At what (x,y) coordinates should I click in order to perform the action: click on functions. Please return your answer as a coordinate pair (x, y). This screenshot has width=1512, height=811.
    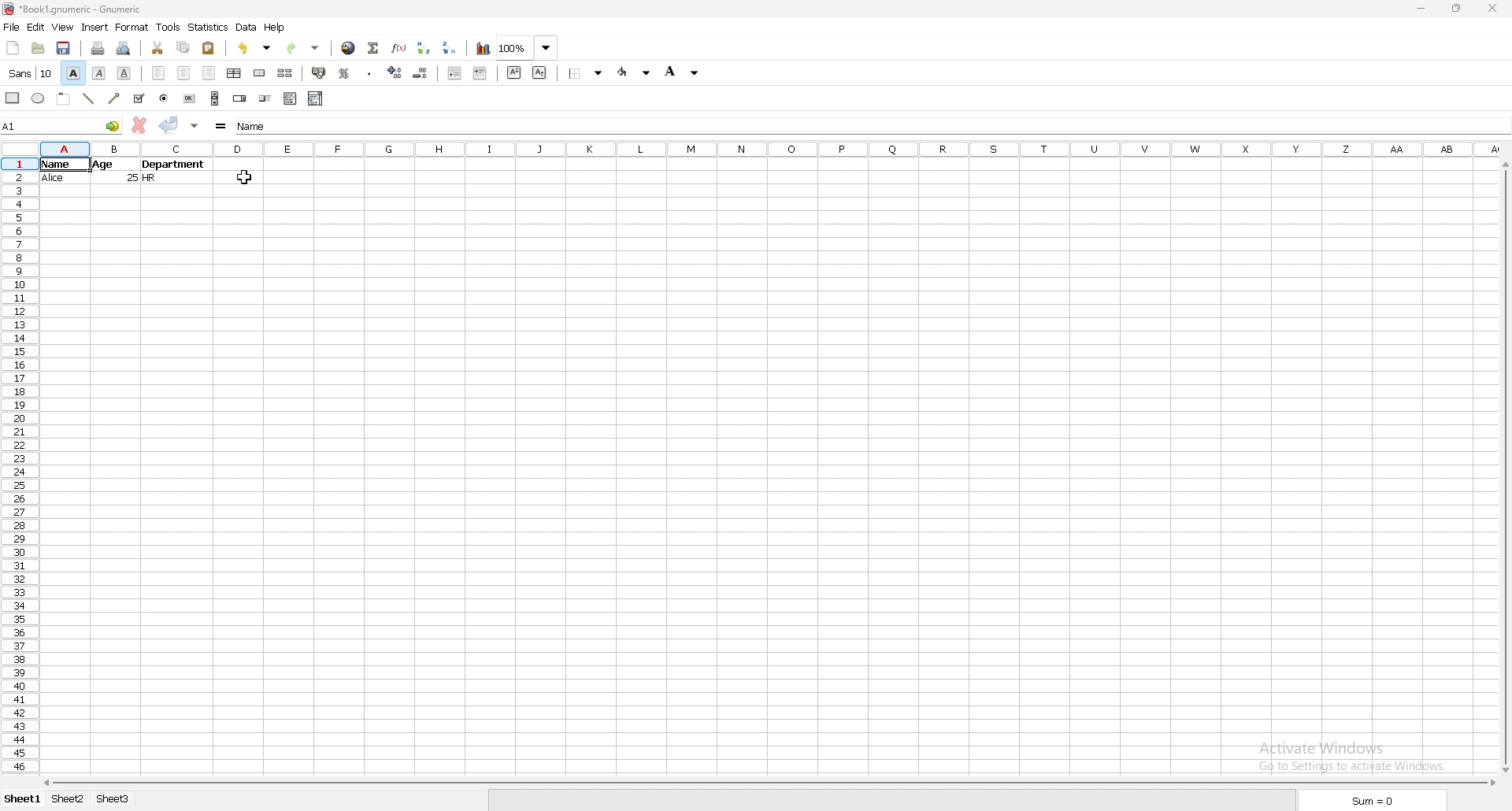
    Looking at the image, I should click on (398, 47).